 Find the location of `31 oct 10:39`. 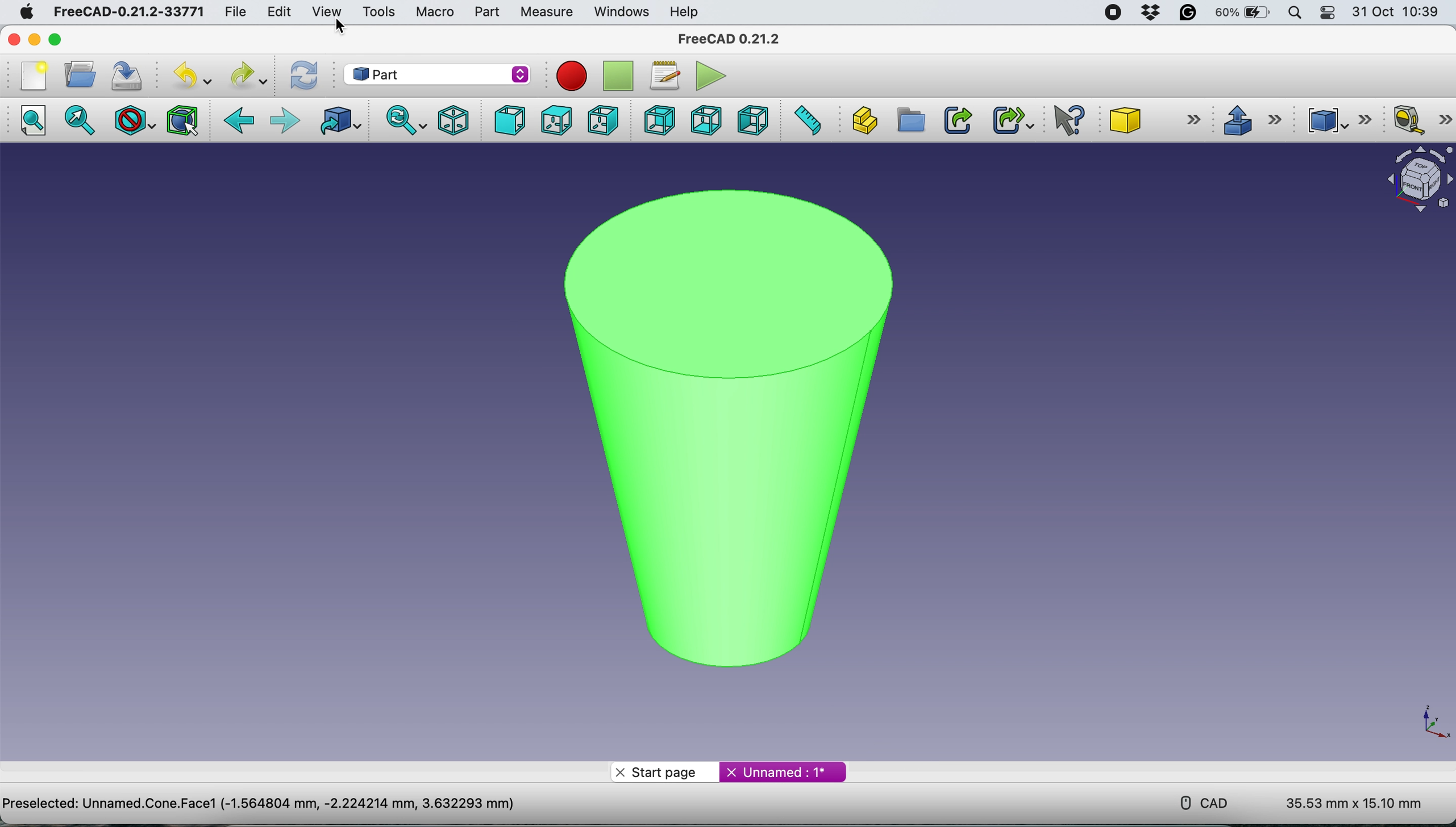

31 oct 10:39 is located at coordinates (1401, 12).